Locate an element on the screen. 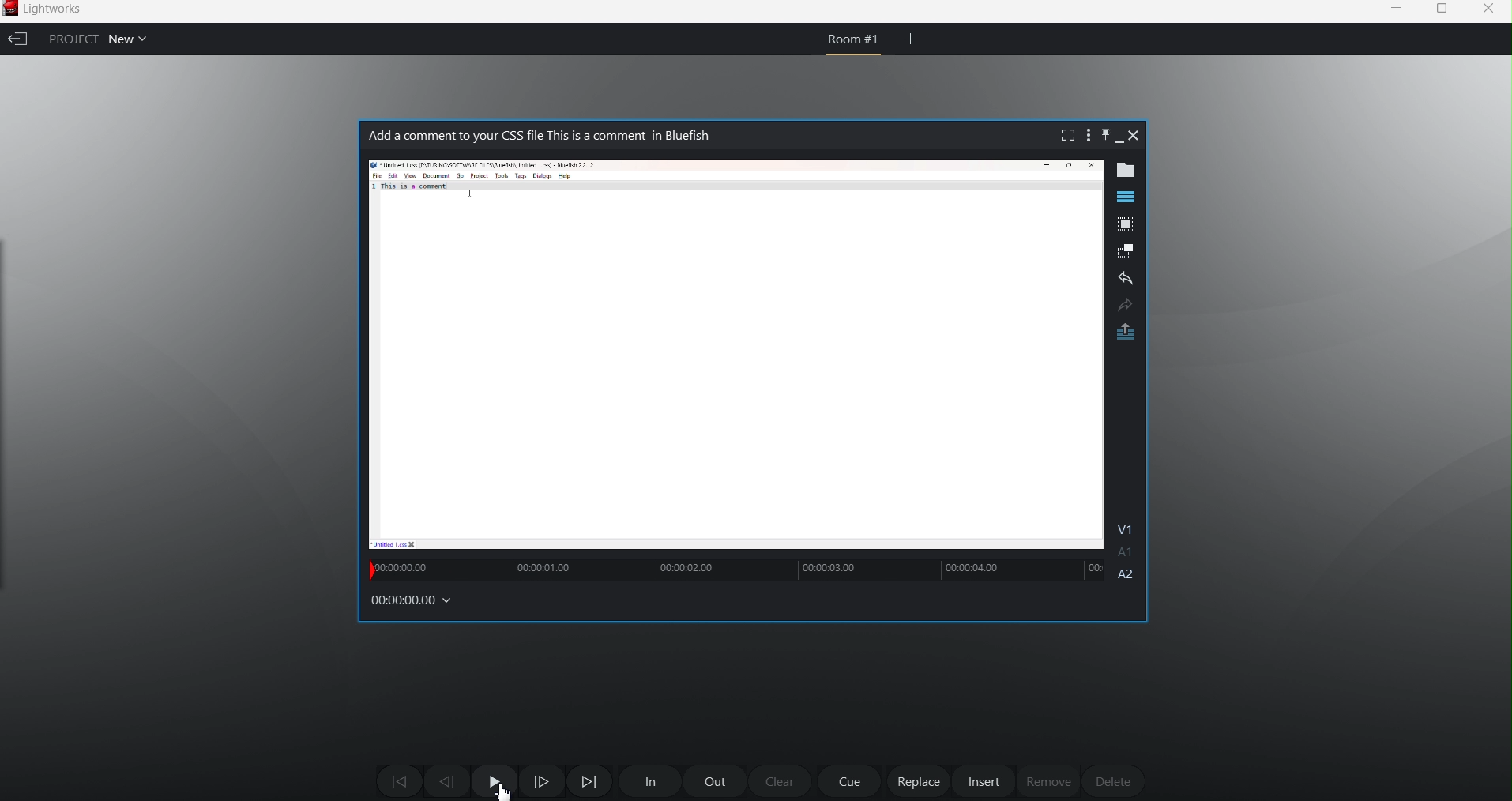 The height and width of the screenshot is (801, 1512). Lightworks is located at coordinates (61, 9).